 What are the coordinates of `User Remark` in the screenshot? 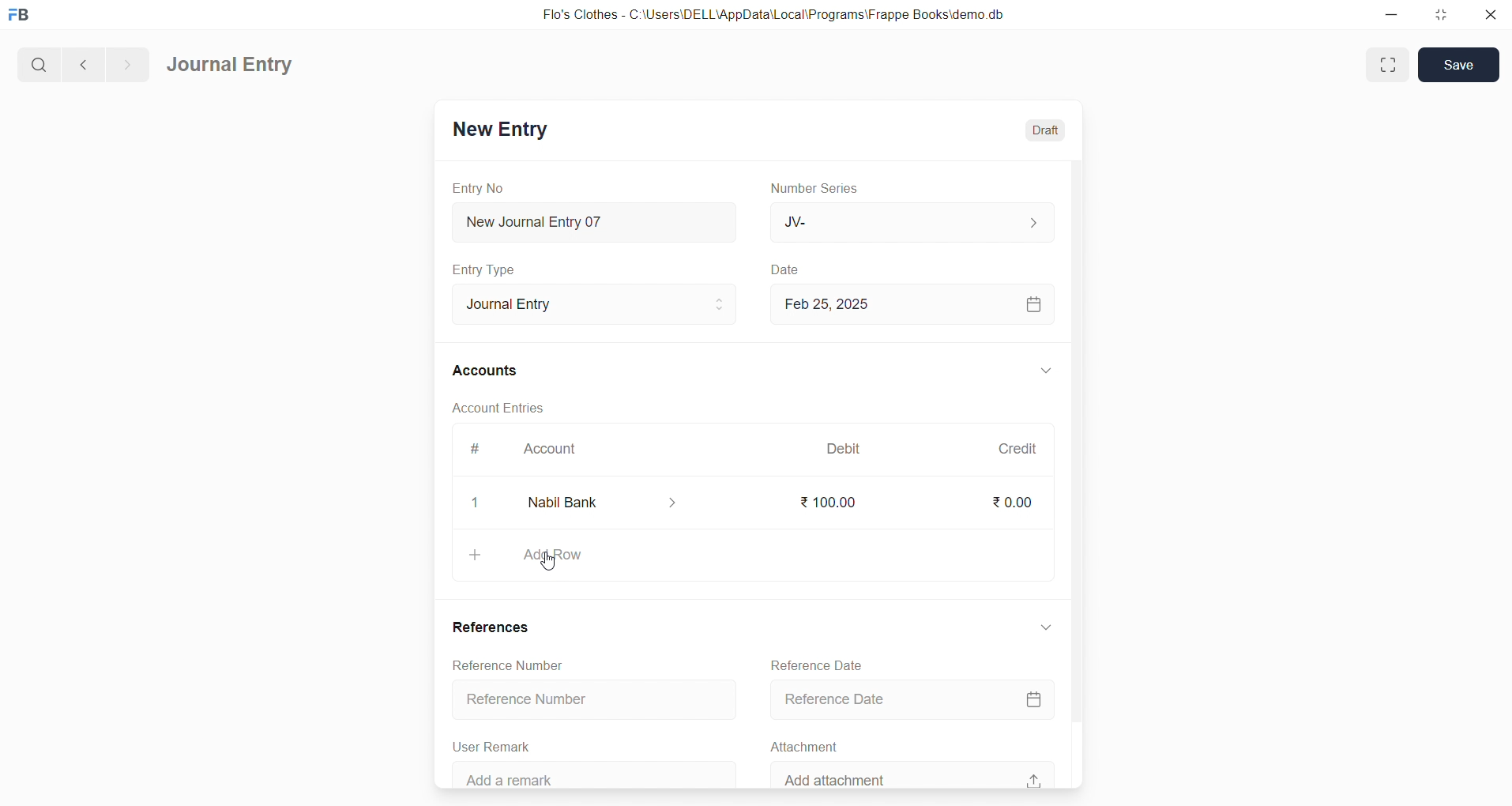 It's located at (496, 744).